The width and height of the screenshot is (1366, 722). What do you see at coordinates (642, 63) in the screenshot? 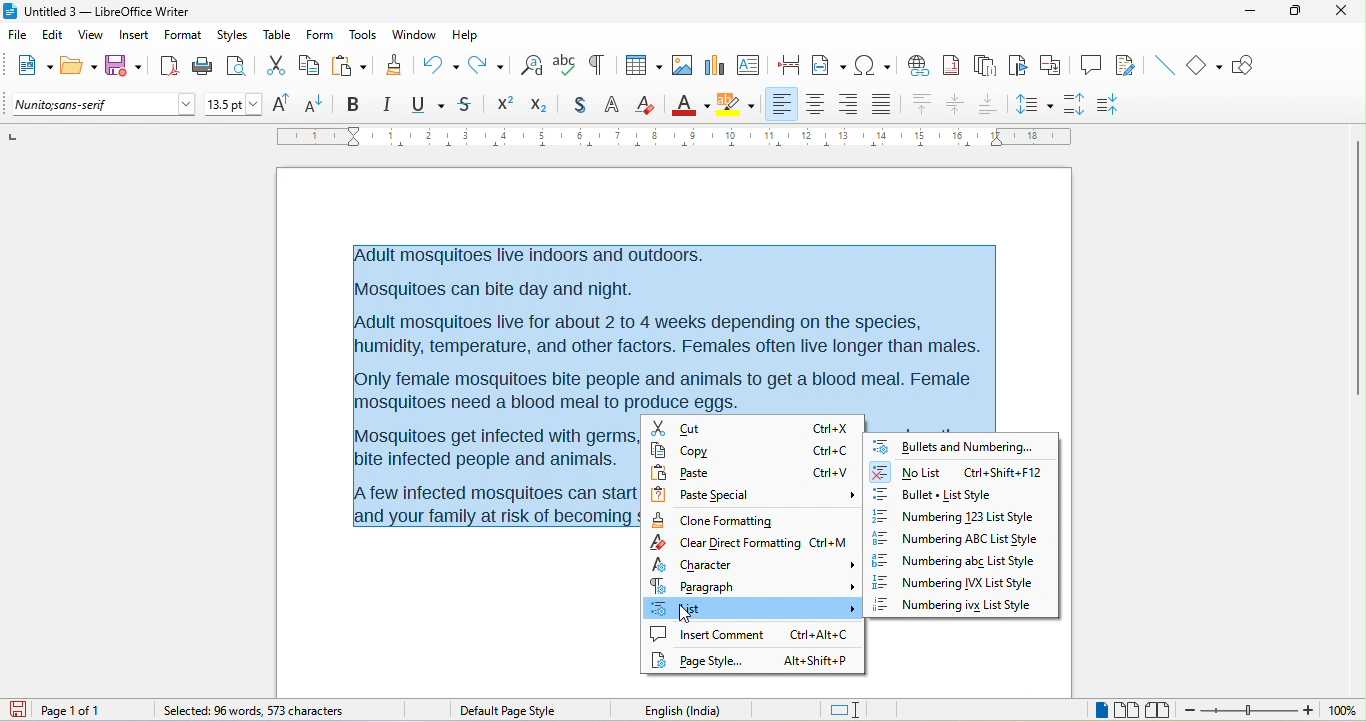
I see `table` at bounding box center [642, 63].